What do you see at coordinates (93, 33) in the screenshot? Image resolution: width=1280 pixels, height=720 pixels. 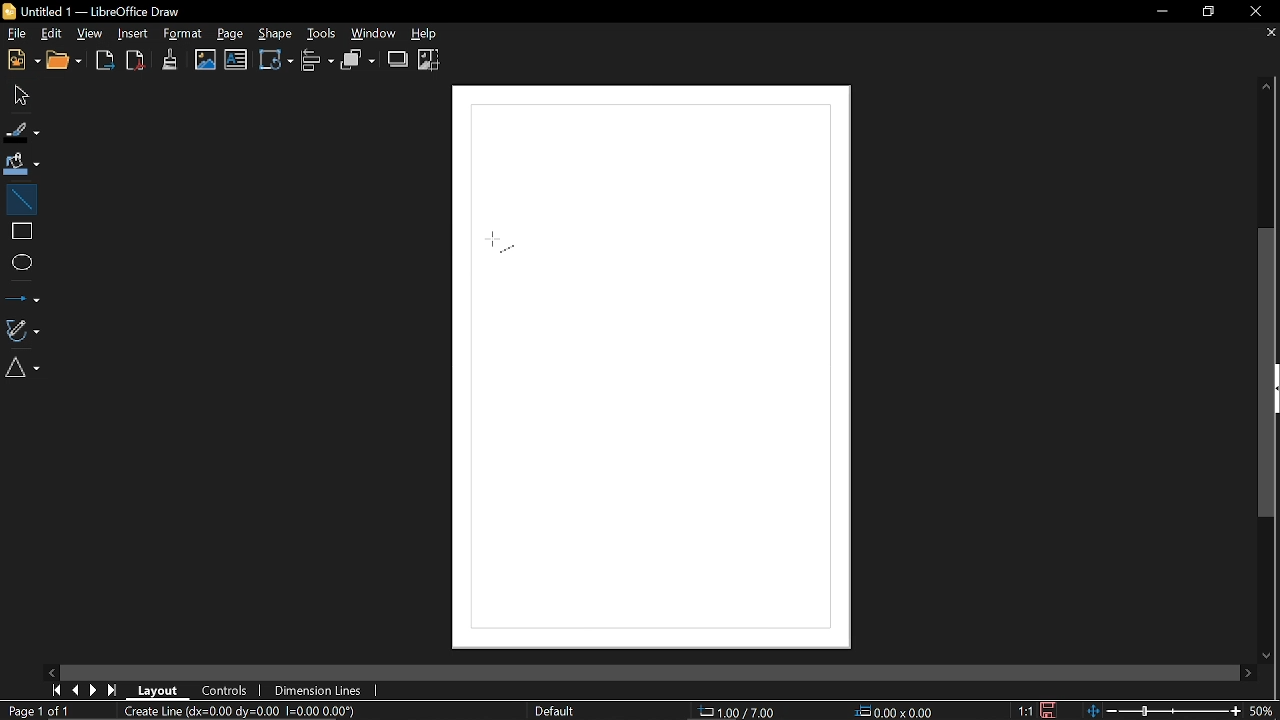 I see `View` at bounding box center [93, 33].